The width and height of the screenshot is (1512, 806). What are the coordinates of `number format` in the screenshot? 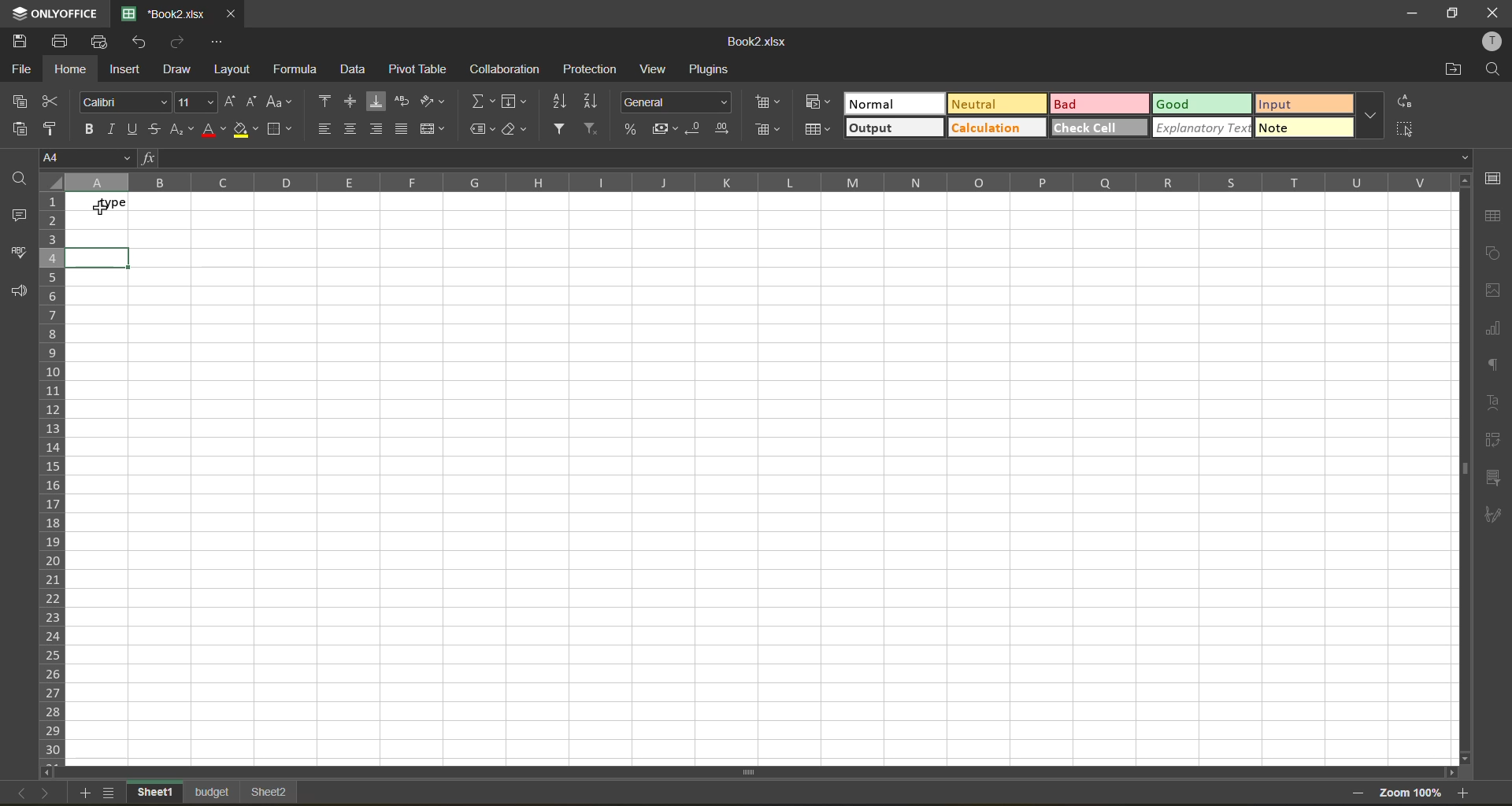 It's located at (678, 102).